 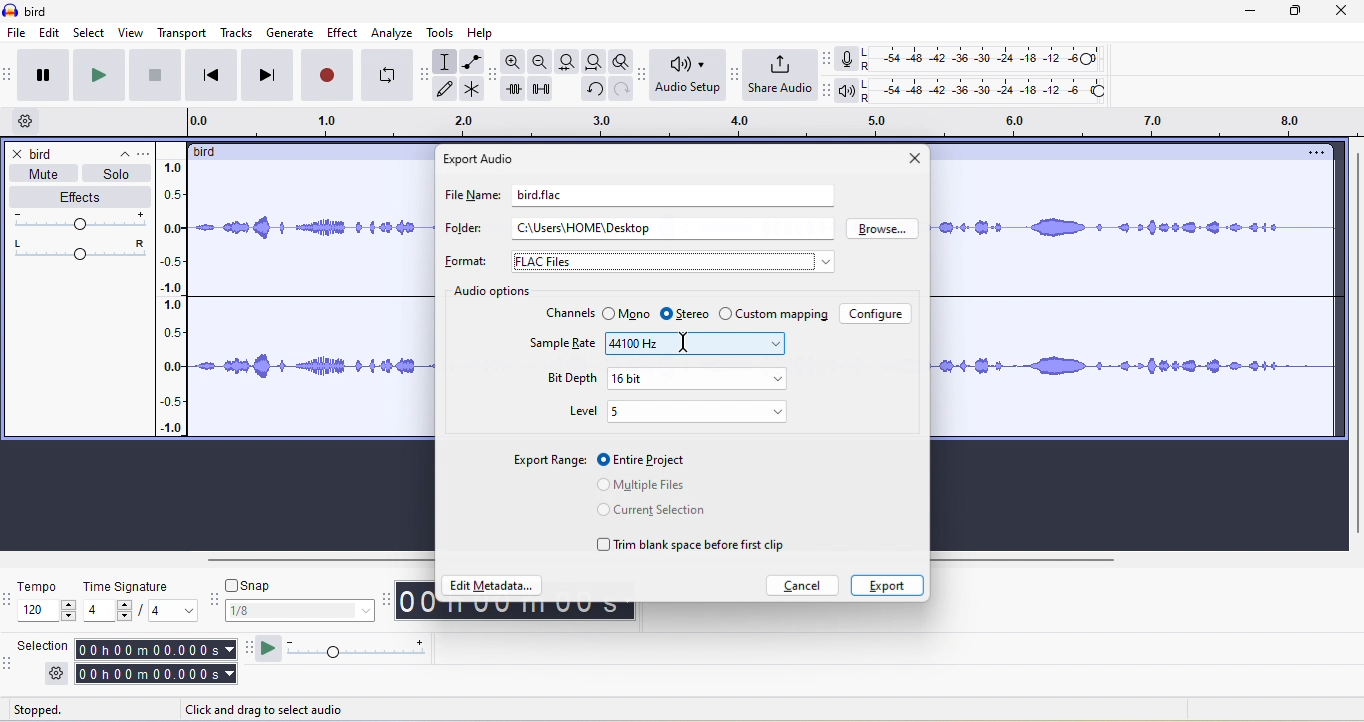 I want to click on export, so click(x=884, y=586).